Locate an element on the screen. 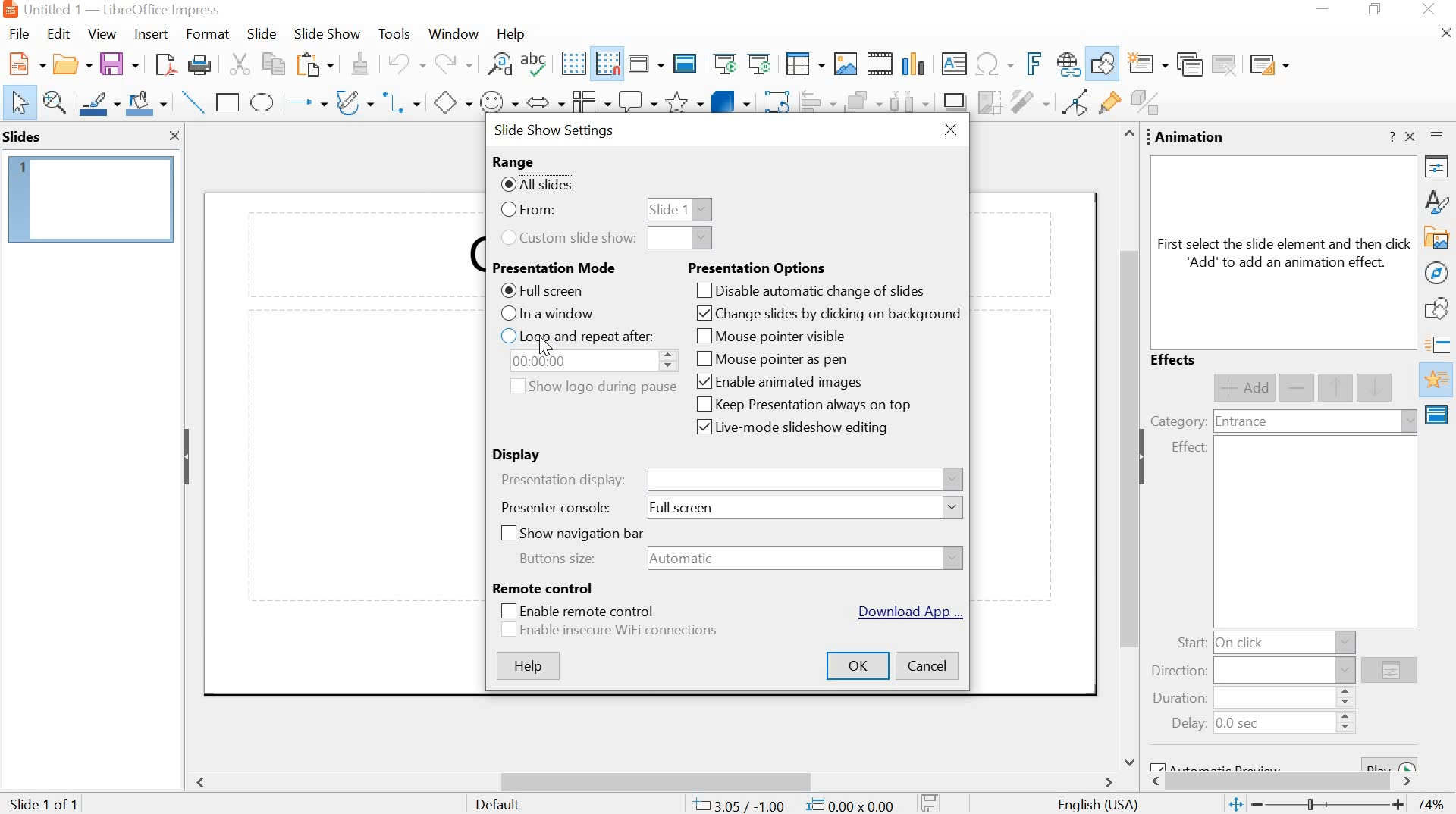 Image resolution: width=1456 pixels, height=814 pixels. entrance is located at coordinates (1241, 423).